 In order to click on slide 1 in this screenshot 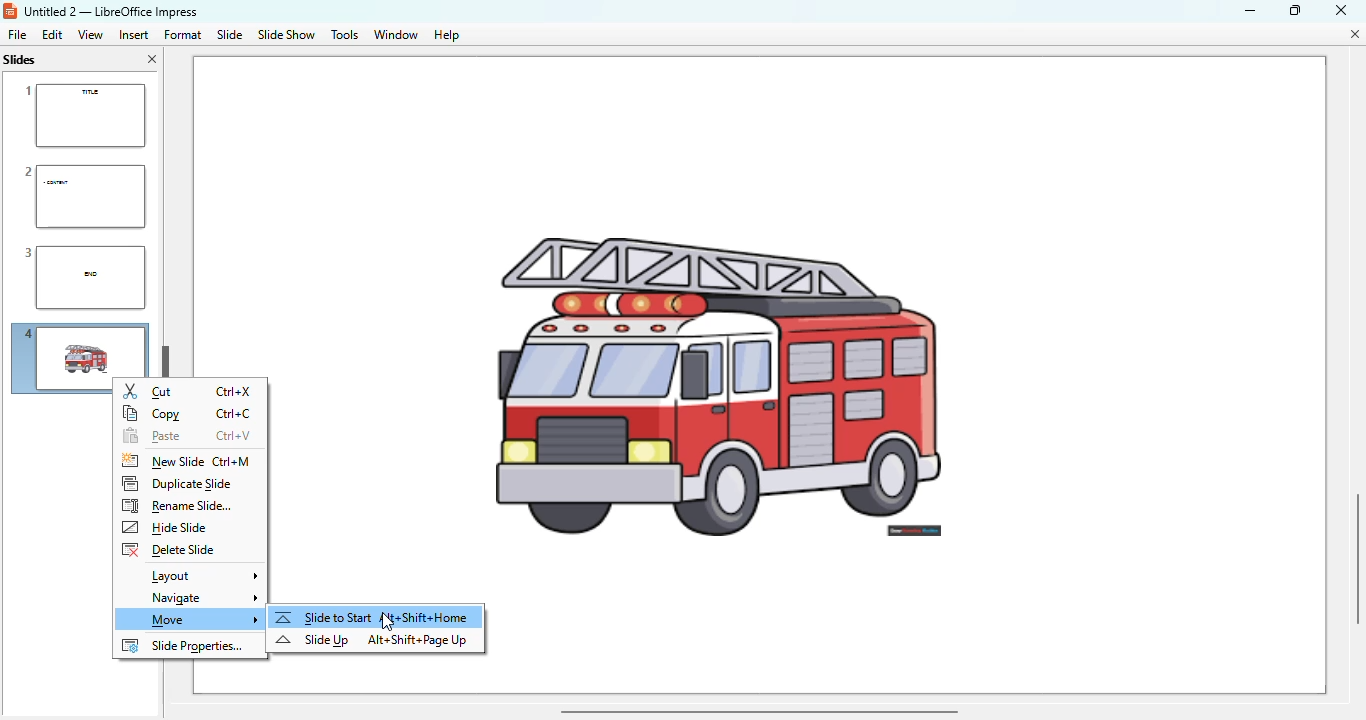, I will do `click(83, 116)`.